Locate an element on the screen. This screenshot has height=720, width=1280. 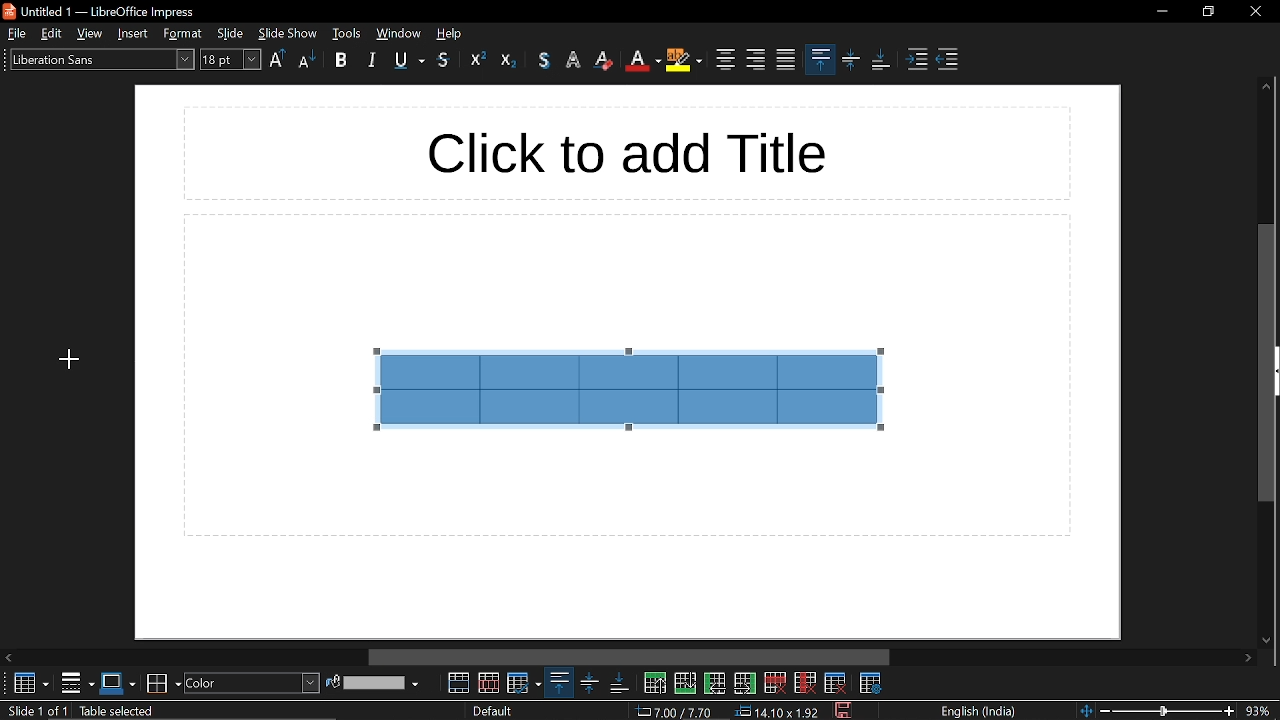
font size is located at coordinates (231, 59).